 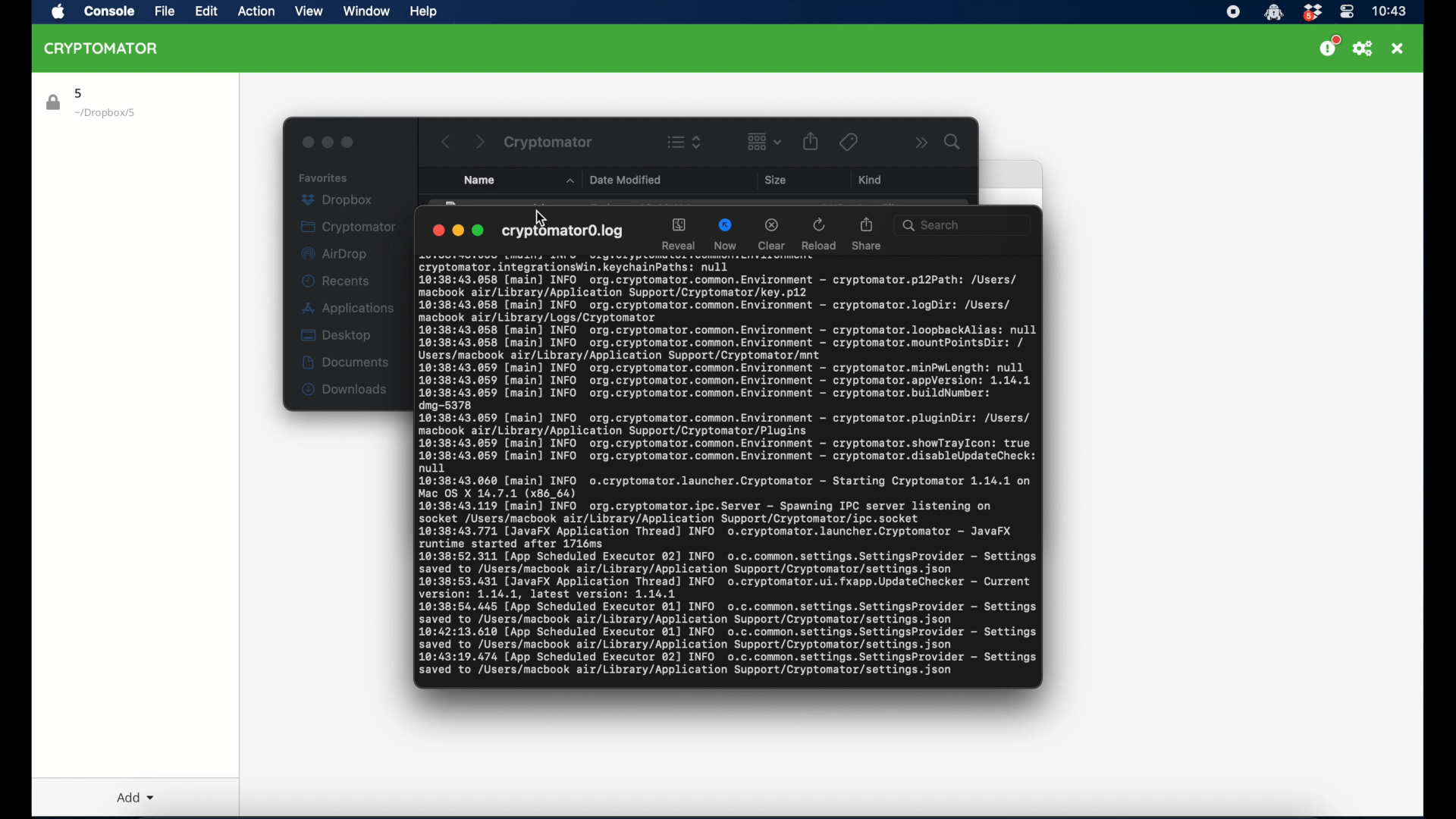 What do you see at coordinates (766, 141) in the screenshot?
I see `change item grouping` at bounding box center [766, 141].